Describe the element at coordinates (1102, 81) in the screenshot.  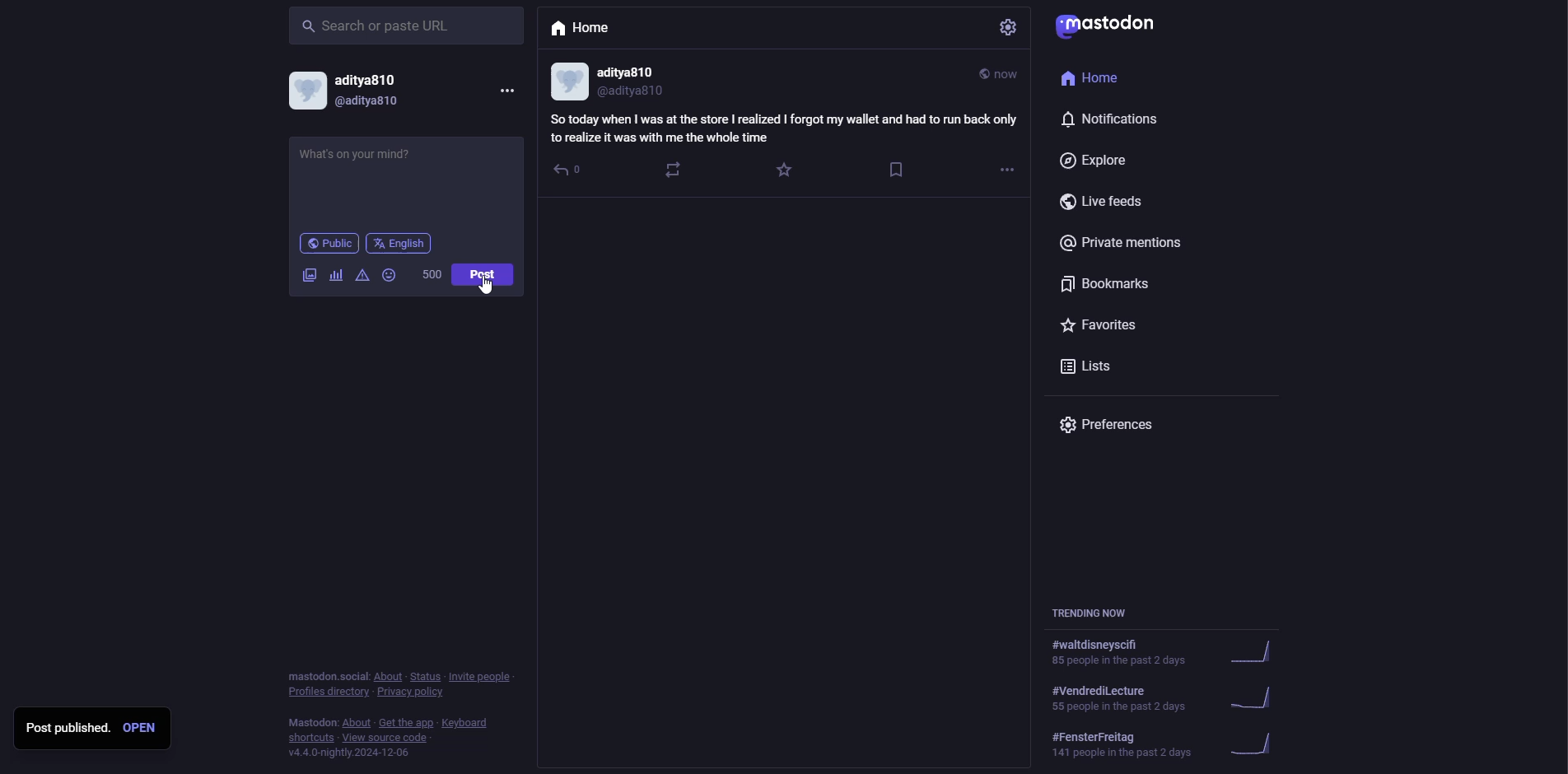
I see `home` at that location.